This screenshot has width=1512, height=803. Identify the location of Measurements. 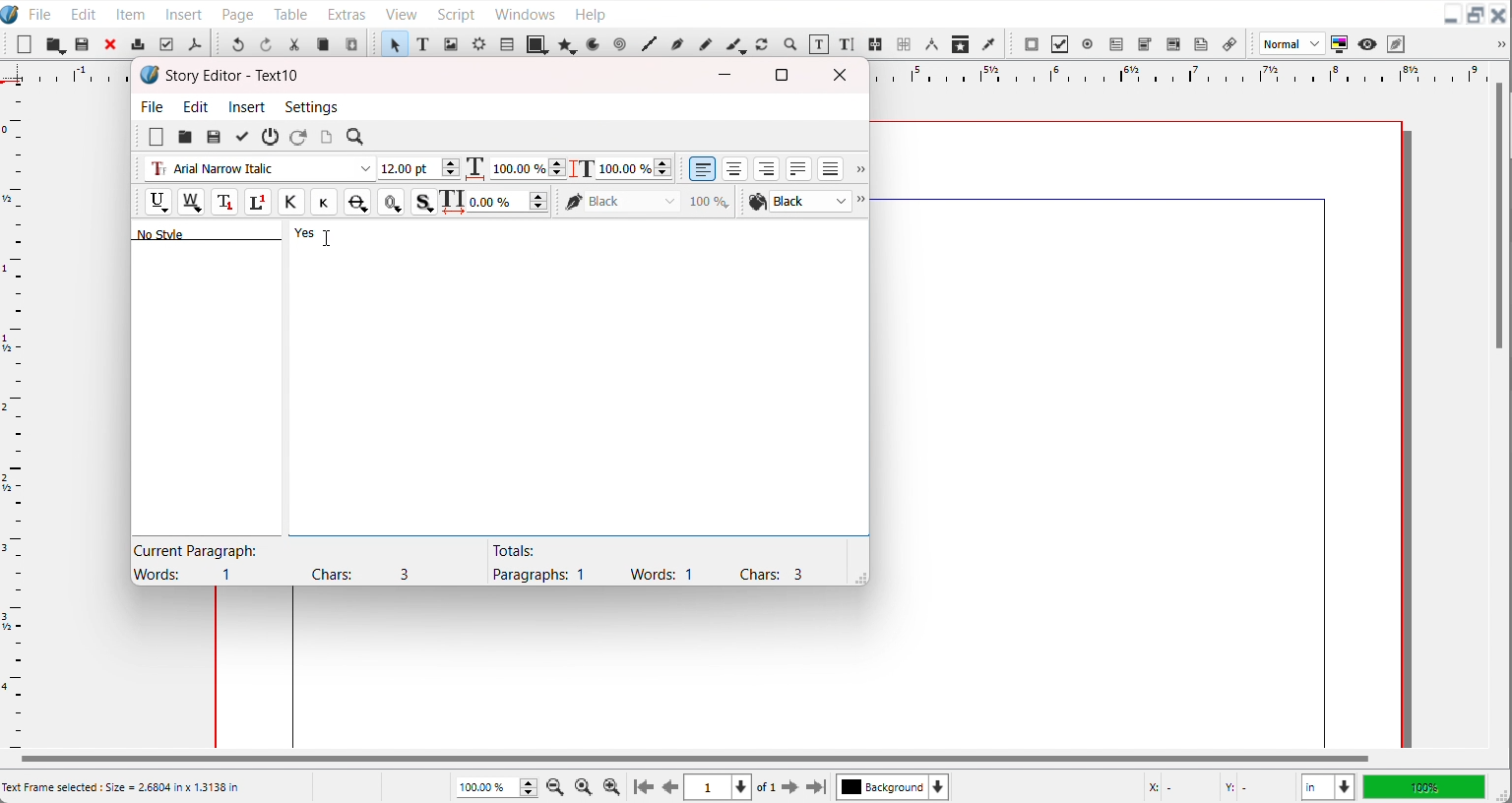
(931, 44).